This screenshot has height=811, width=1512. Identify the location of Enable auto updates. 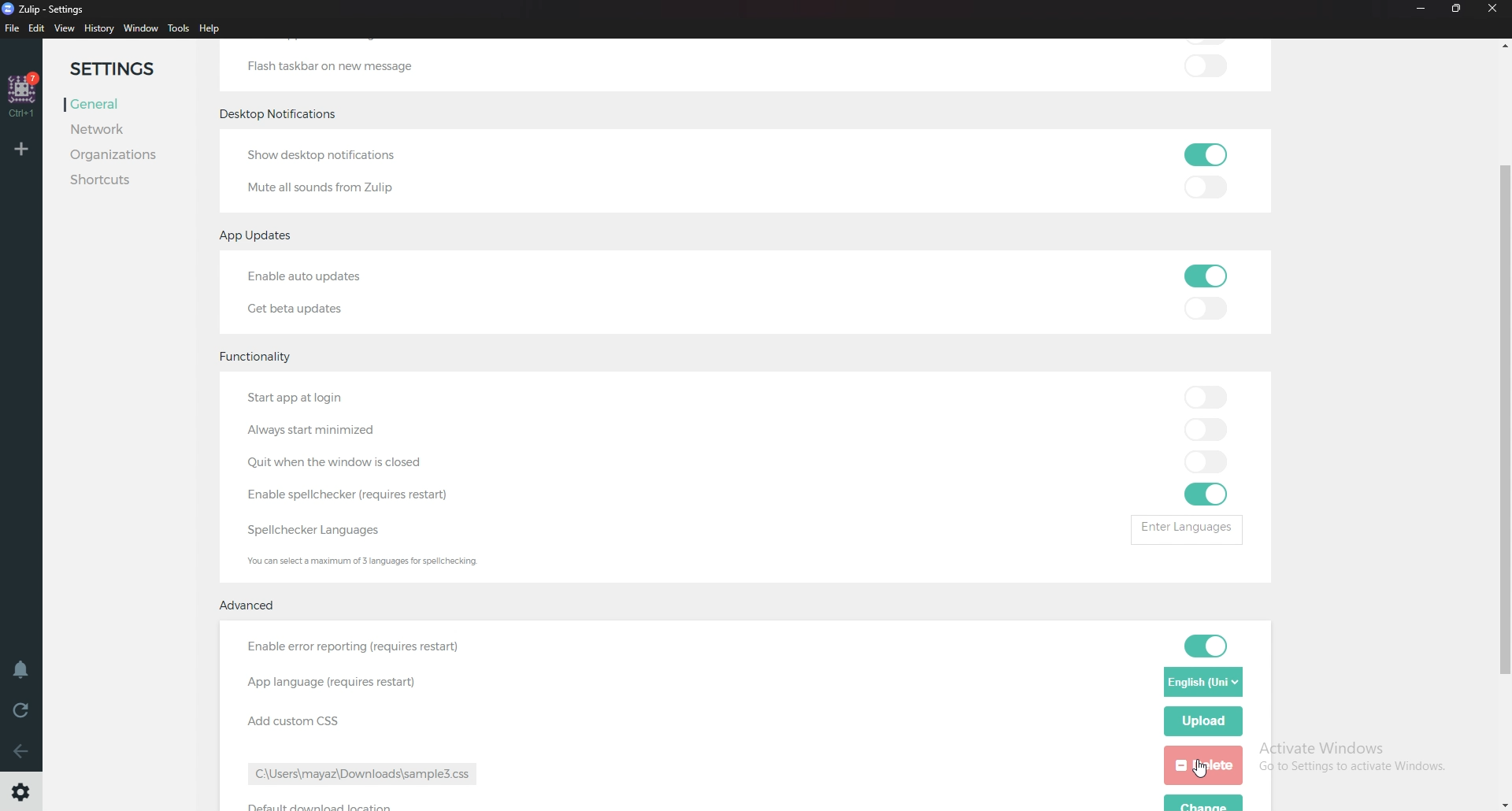
(333, 276).